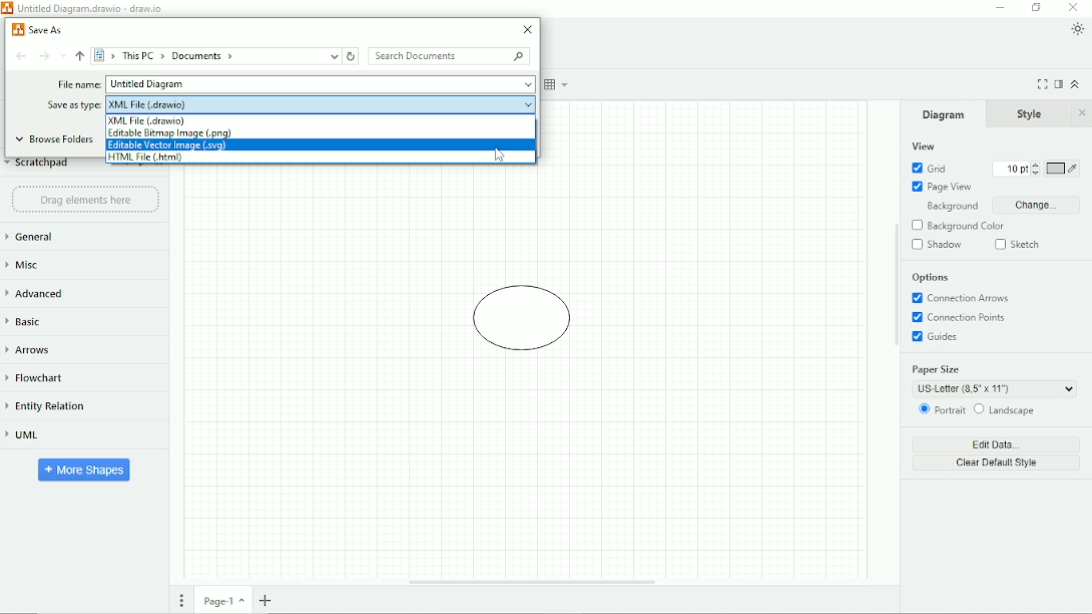  What do you see at coordinates (36, 29) in the screenshot?
I see `Save As` at bounding box center [36, 29].